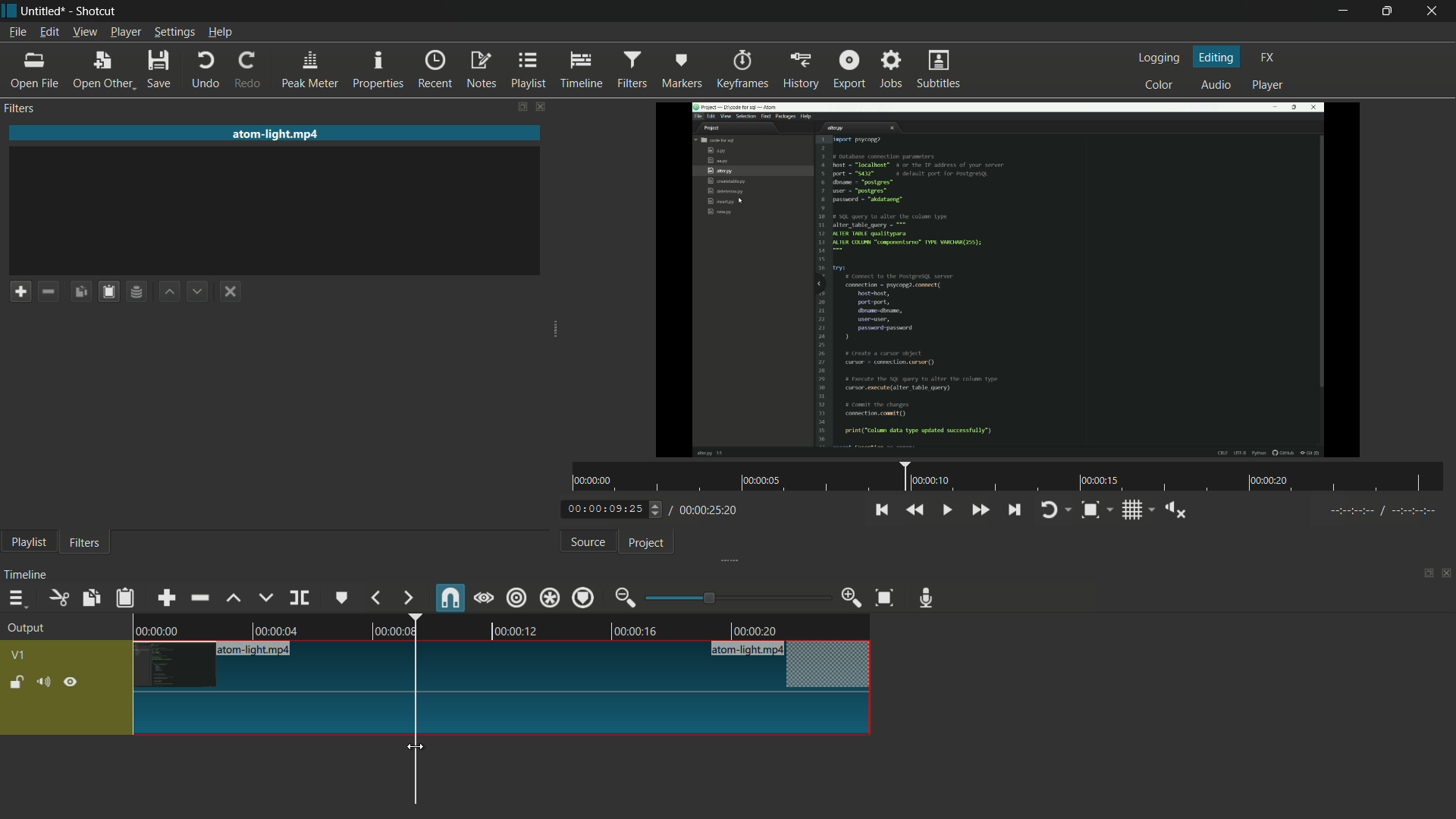 The image size is (1456, 819). I want to click on append, so click(169, 597).